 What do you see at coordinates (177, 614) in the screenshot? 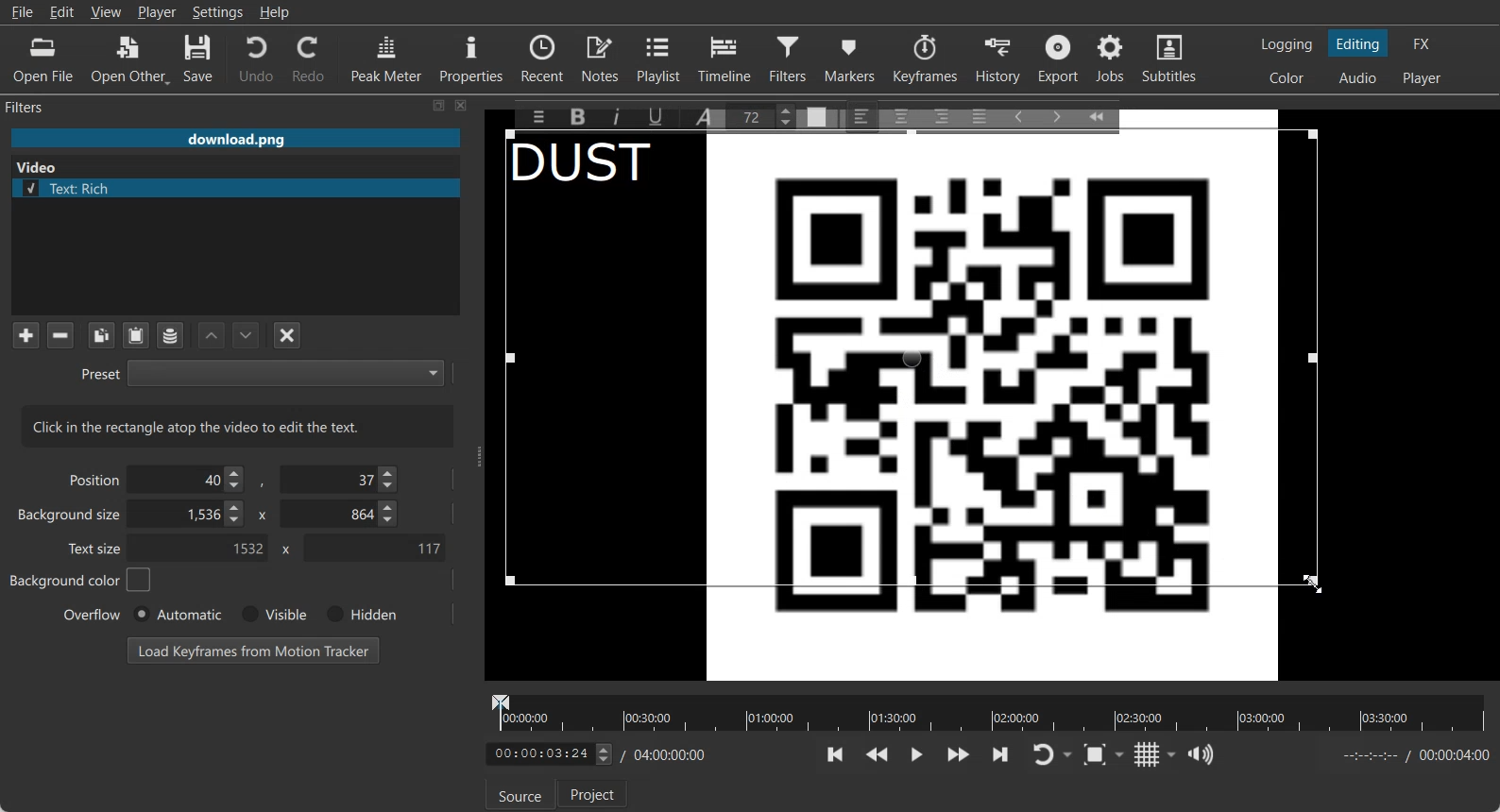
I see `Automatic` at bounding box center [177, 614].